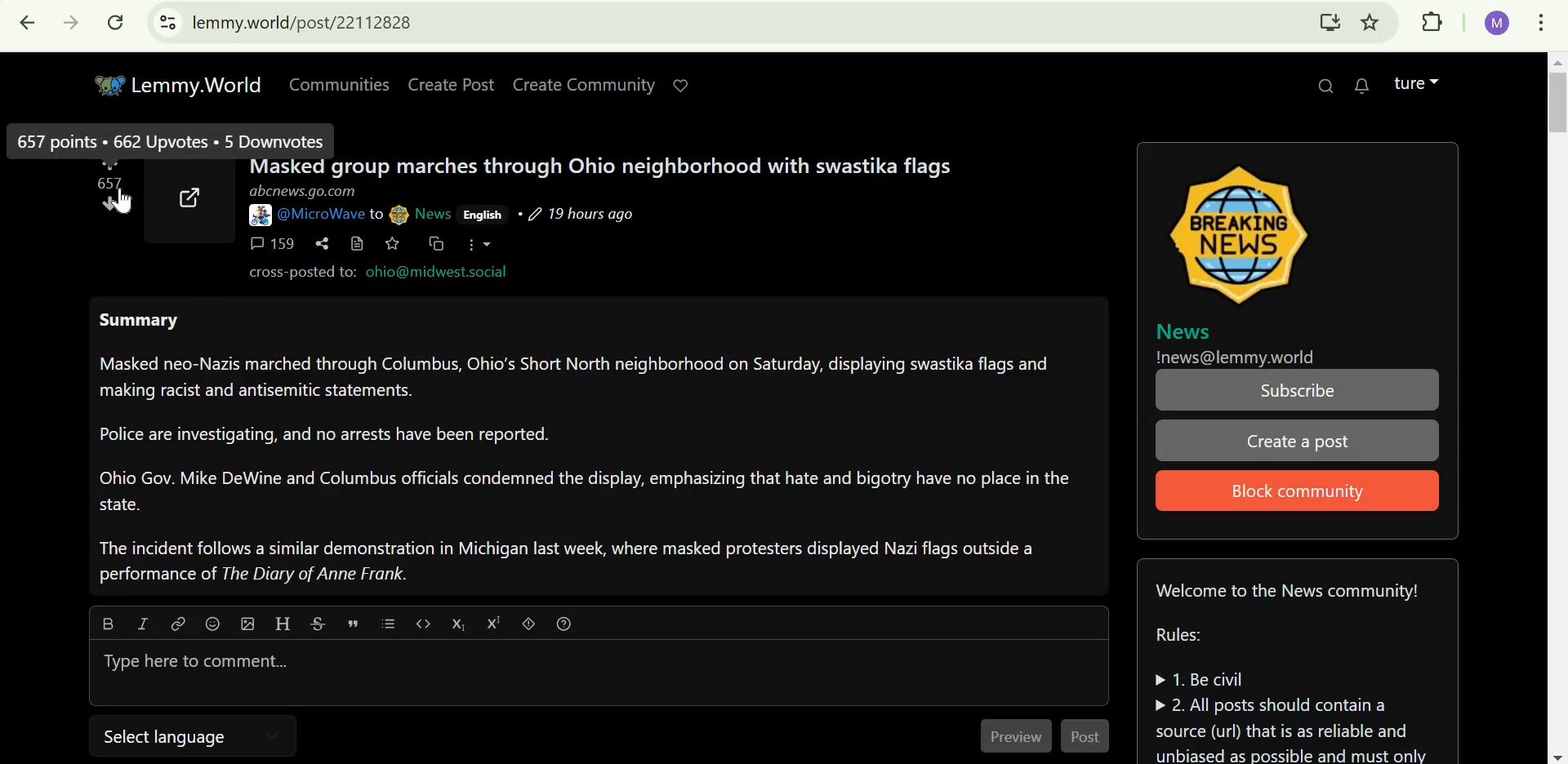  I want to click on cross-posted to: ohio@midwest.social, so click(371, 273).